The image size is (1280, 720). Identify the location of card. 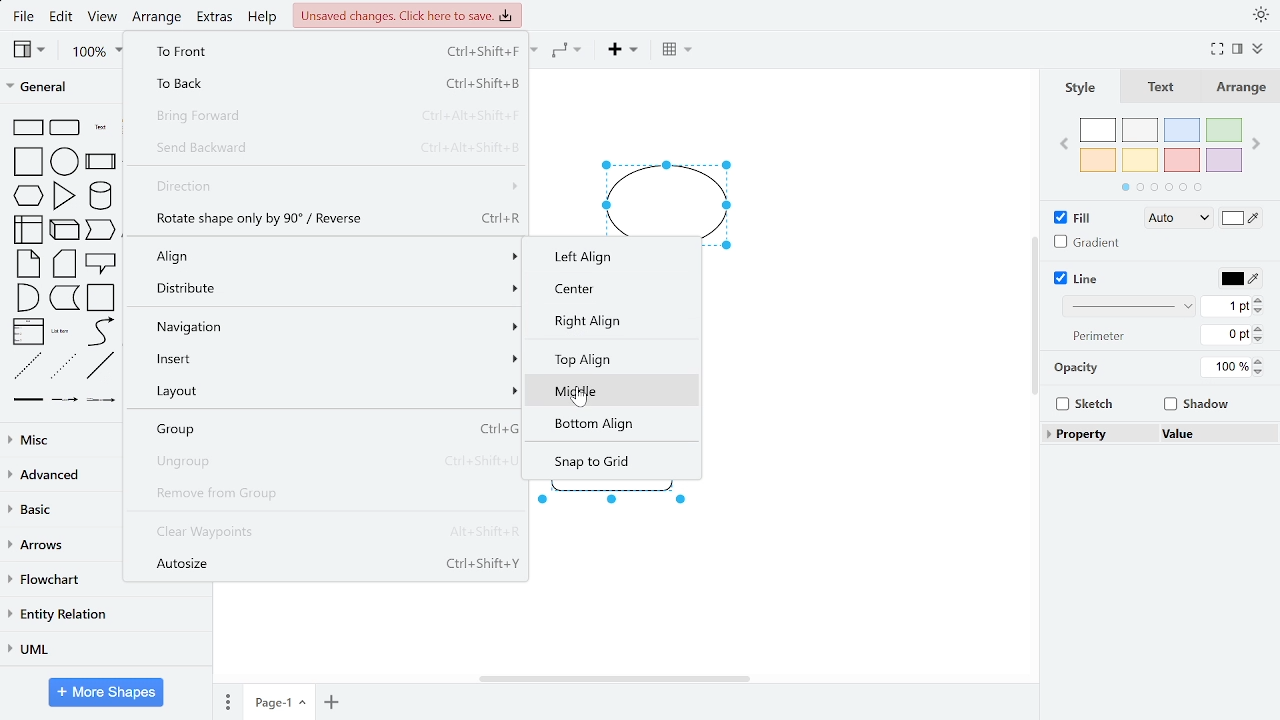
(65, 264).